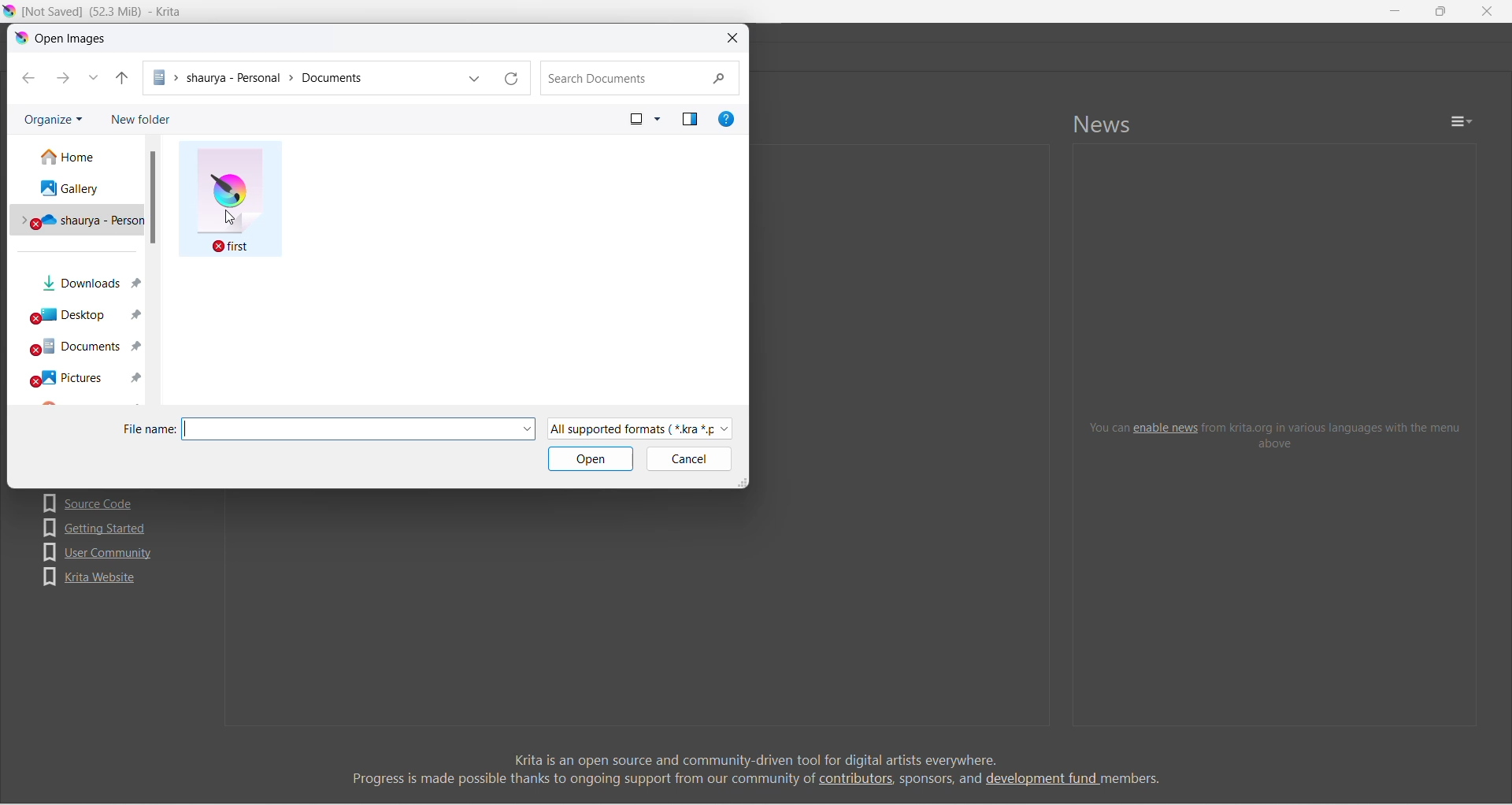 The image size is (1512, 805). I want to click on home, so click(78, 156).